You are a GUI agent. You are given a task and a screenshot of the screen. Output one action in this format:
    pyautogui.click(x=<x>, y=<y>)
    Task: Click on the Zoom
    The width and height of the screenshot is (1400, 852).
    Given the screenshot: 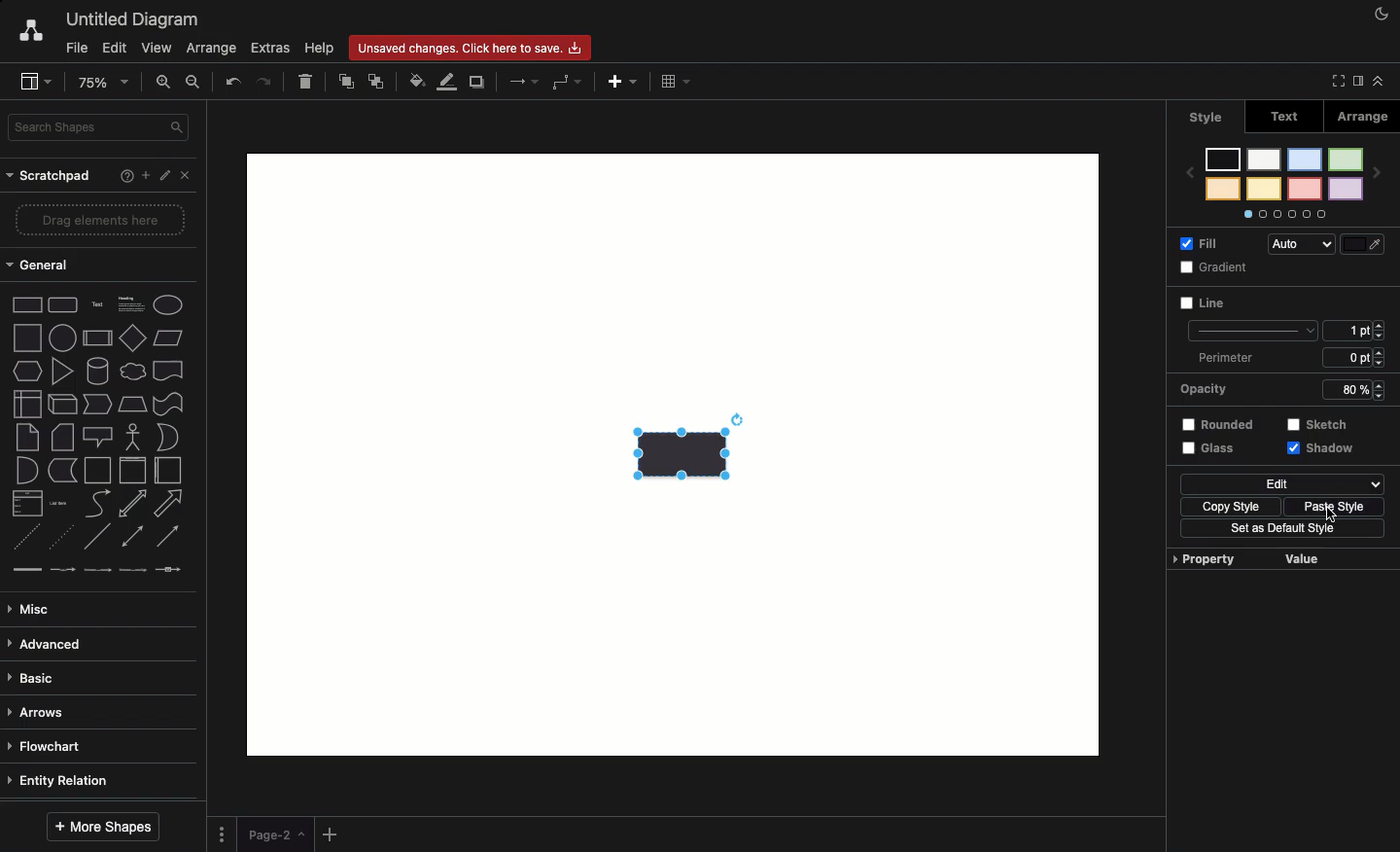 What is the action you would take?
    pyautogui.click(x=102, y=83)
    